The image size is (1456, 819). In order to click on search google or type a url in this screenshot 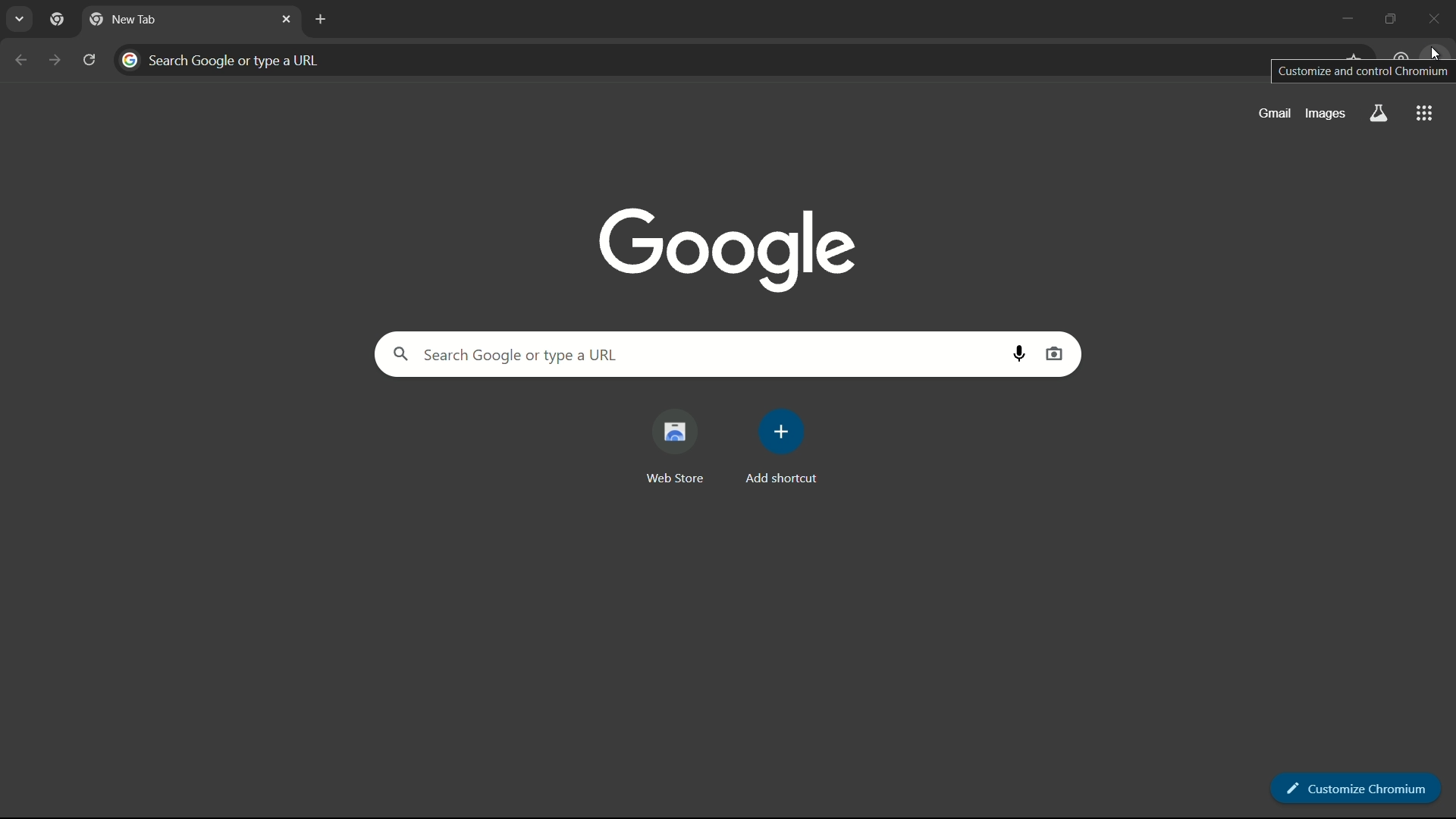, I will do `click(686, 353)`.